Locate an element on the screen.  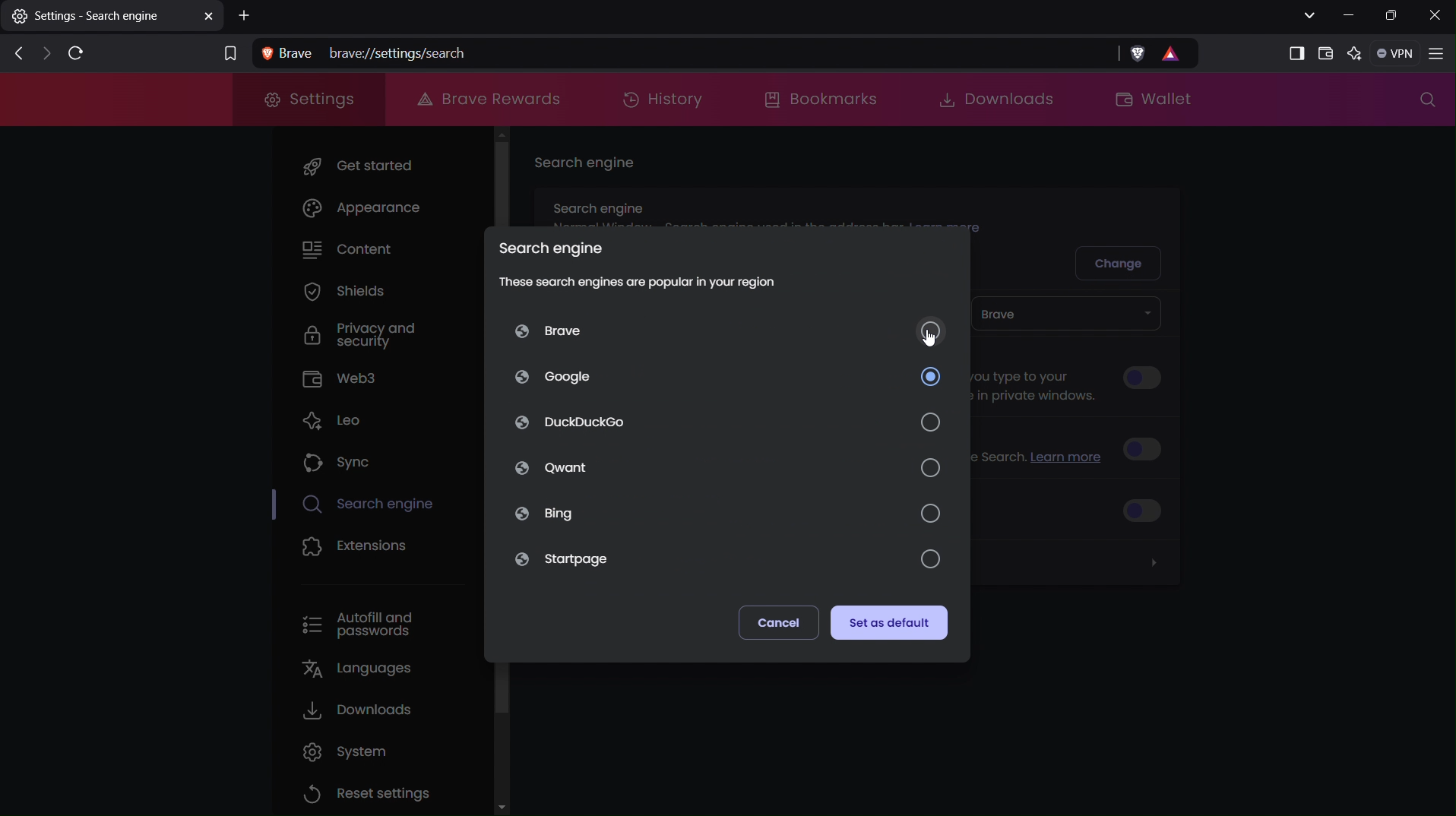
Brave  is located at coordinates (730, 330).